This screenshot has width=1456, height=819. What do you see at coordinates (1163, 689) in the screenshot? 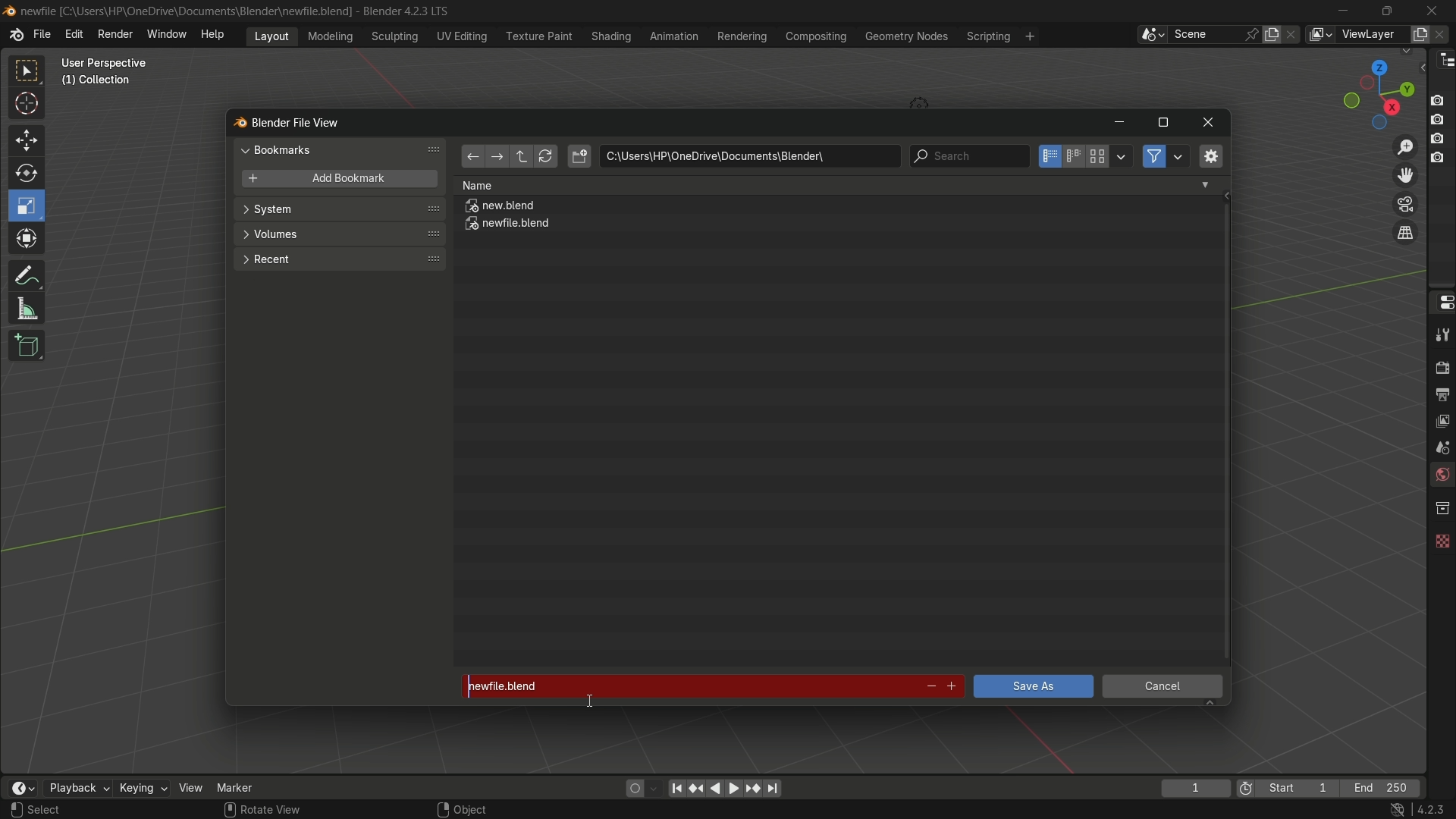
I see `cancel` at bounding box center [1163, 689].